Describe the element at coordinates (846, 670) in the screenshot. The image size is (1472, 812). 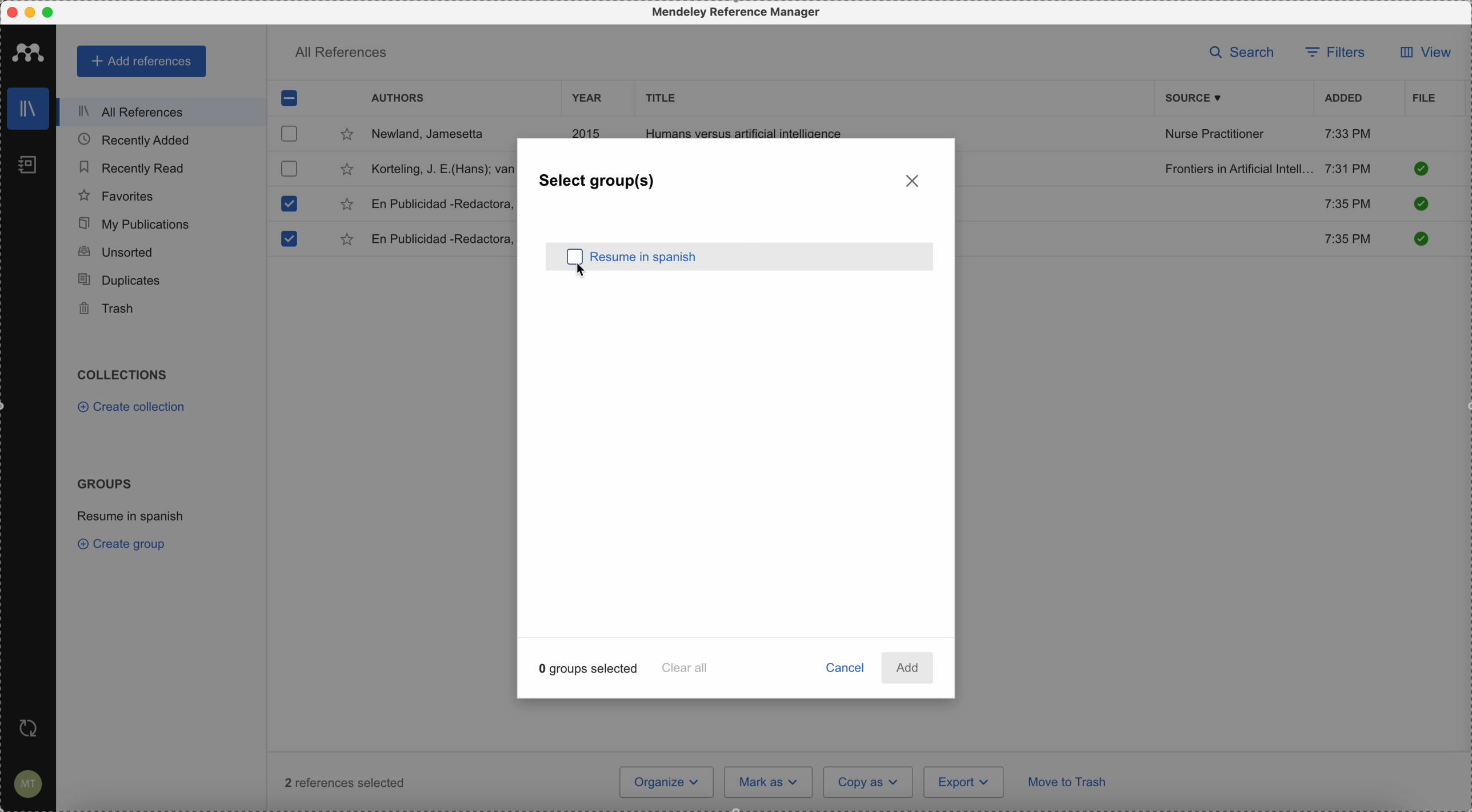
I see `cancel` at that location.